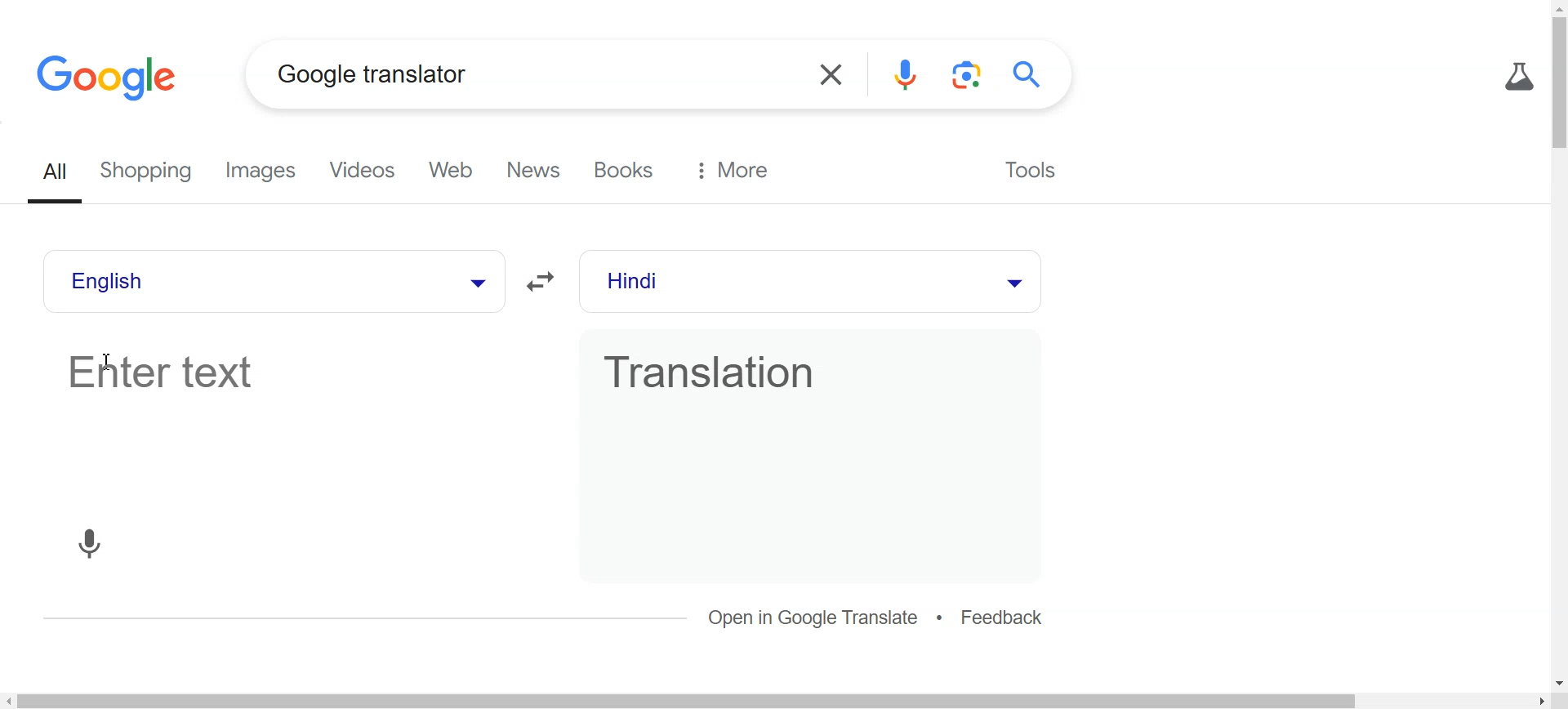  Describe the element at coordinates (808, 415) in the screenshot. I see `Translate window` at that location.